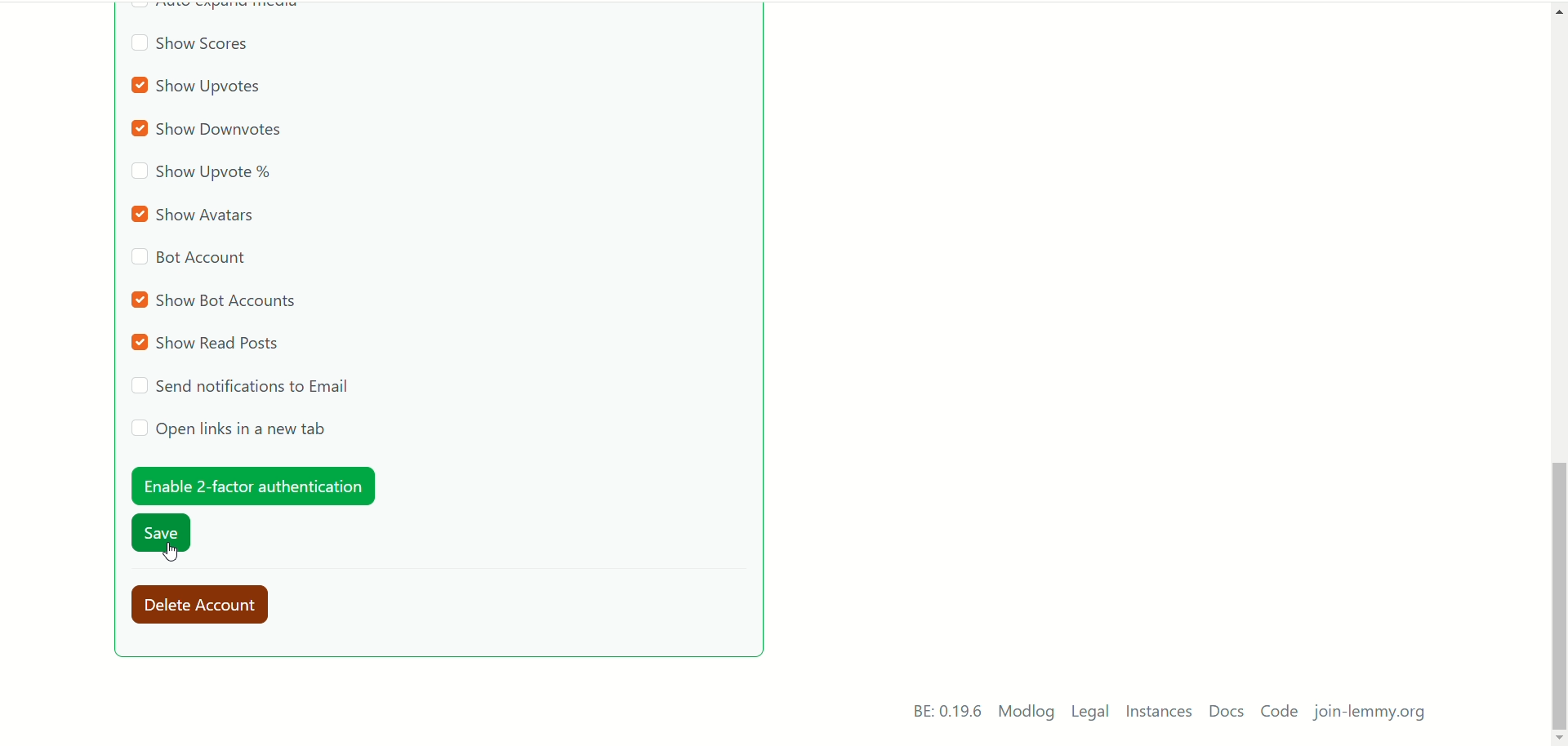 The height and width of the screenshot is (746, 1568). I want to click on modlog, so click(1027, 713).